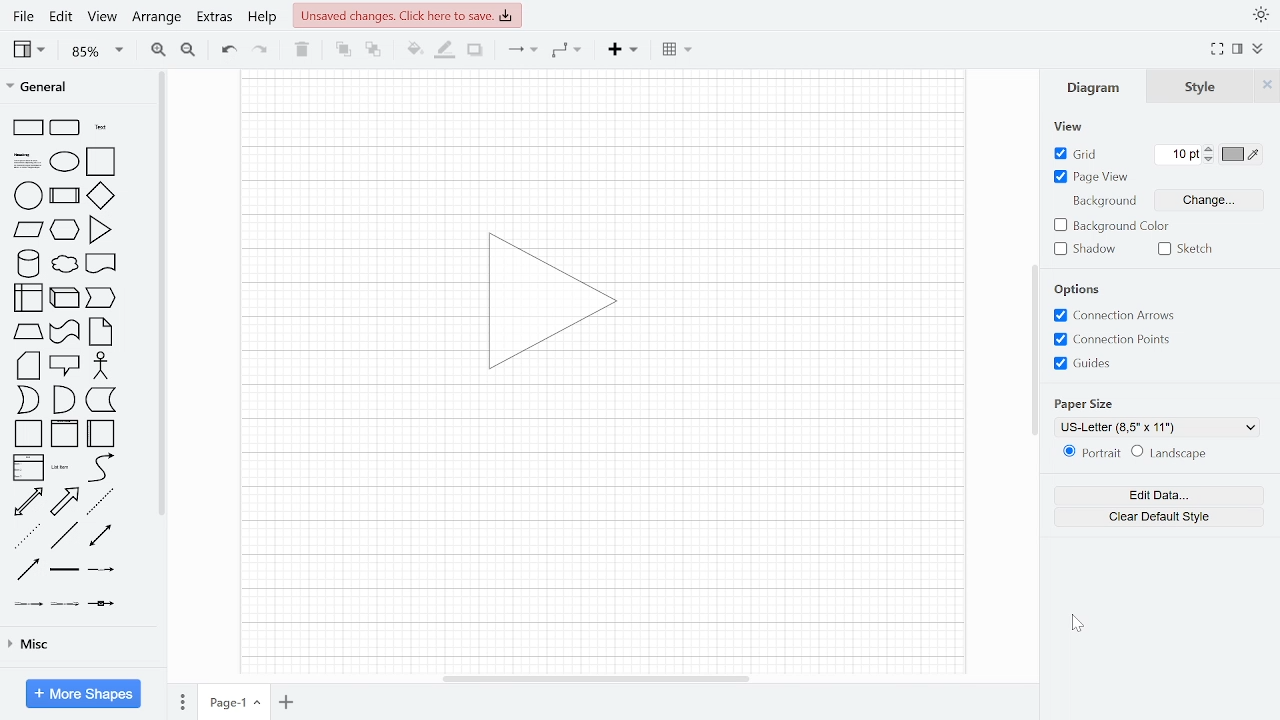 The width and height of the screenshot is (1280, 720). I want to click on Container, so click(64, 434).